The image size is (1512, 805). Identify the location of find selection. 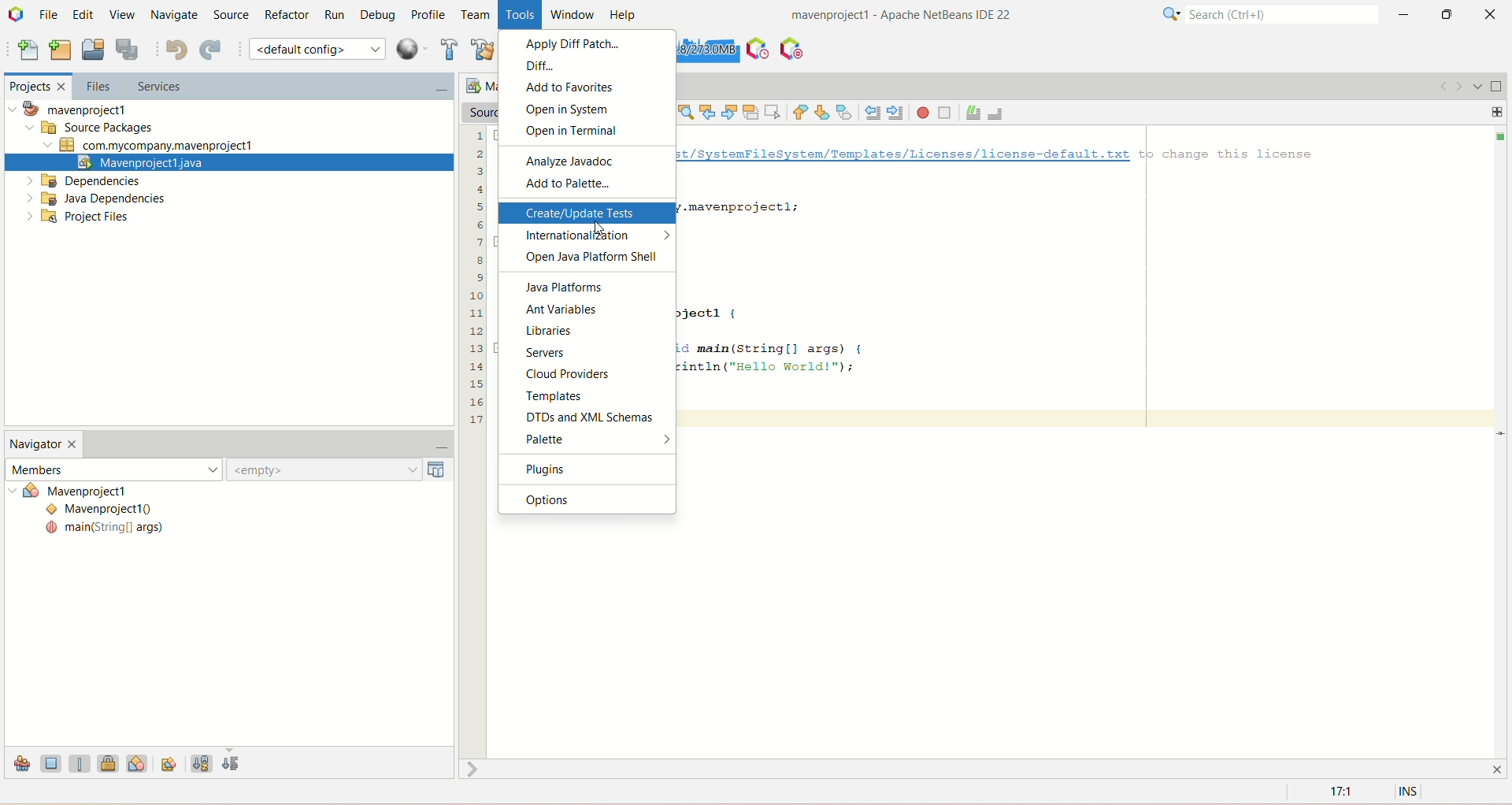
(684, 112).